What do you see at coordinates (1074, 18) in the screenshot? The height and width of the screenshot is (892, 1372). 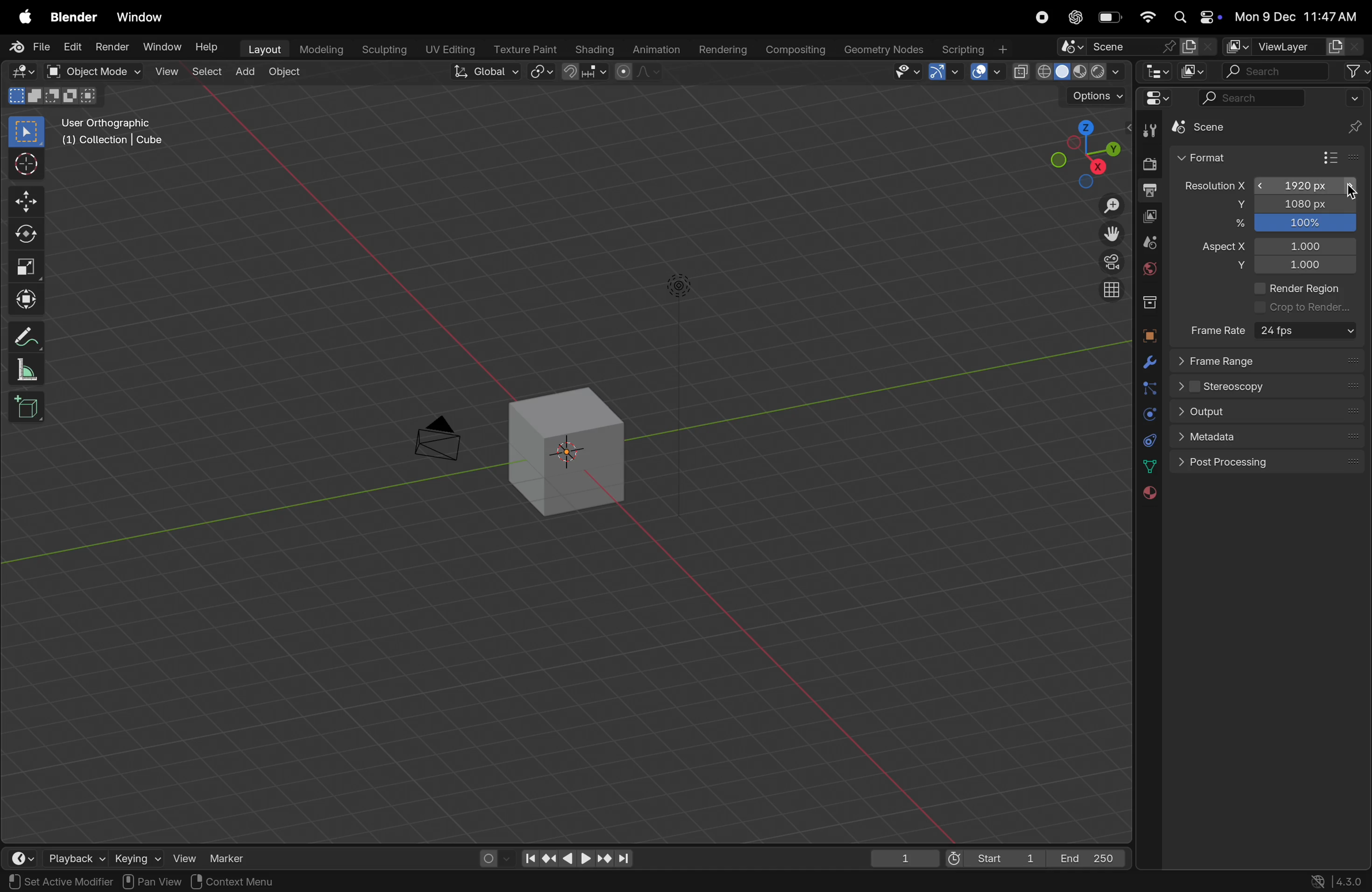 I see `chatgpt` at bounding box center [1074, 18].